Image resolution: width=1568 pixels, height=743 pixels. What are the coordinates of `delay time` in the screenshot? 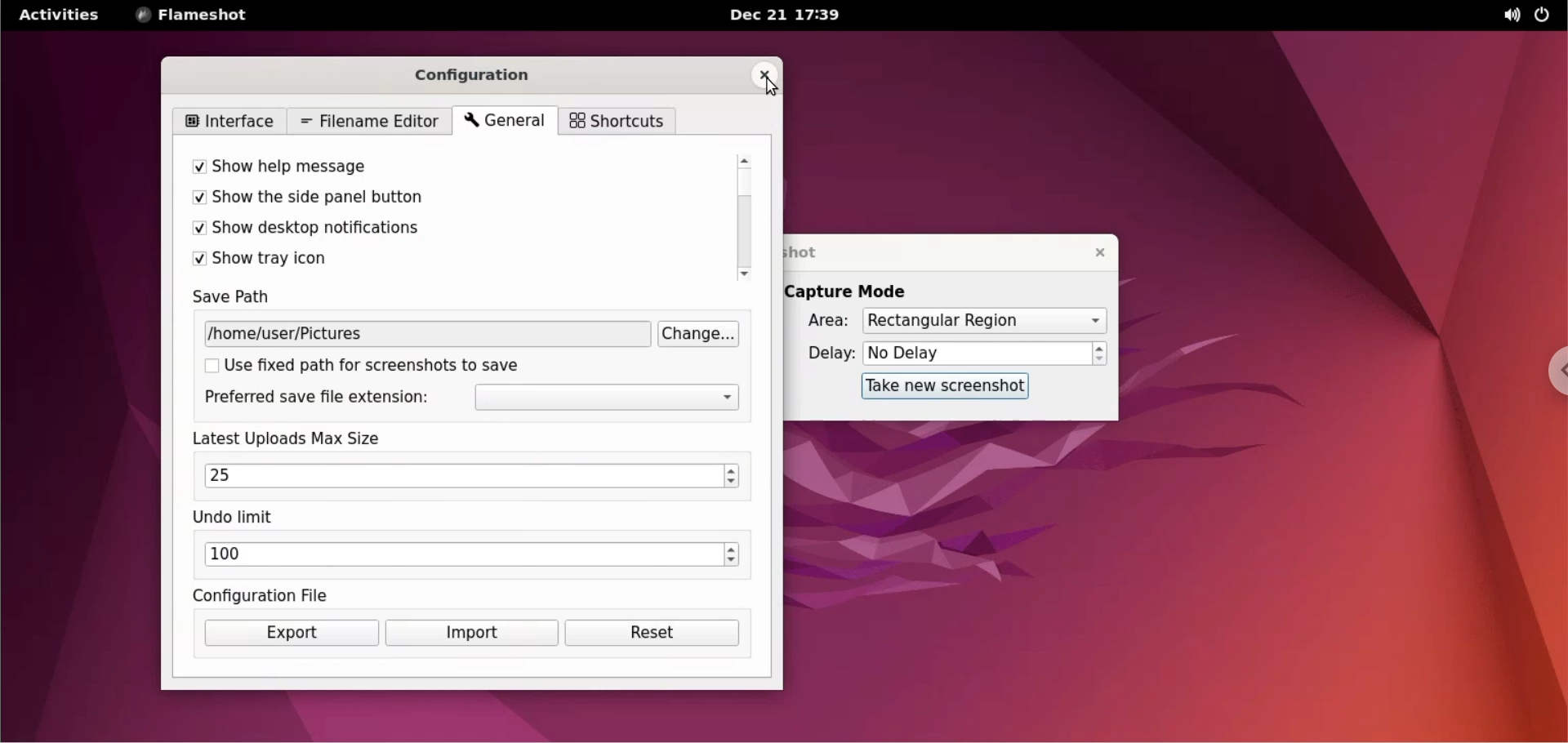 It's located at (977, 353).